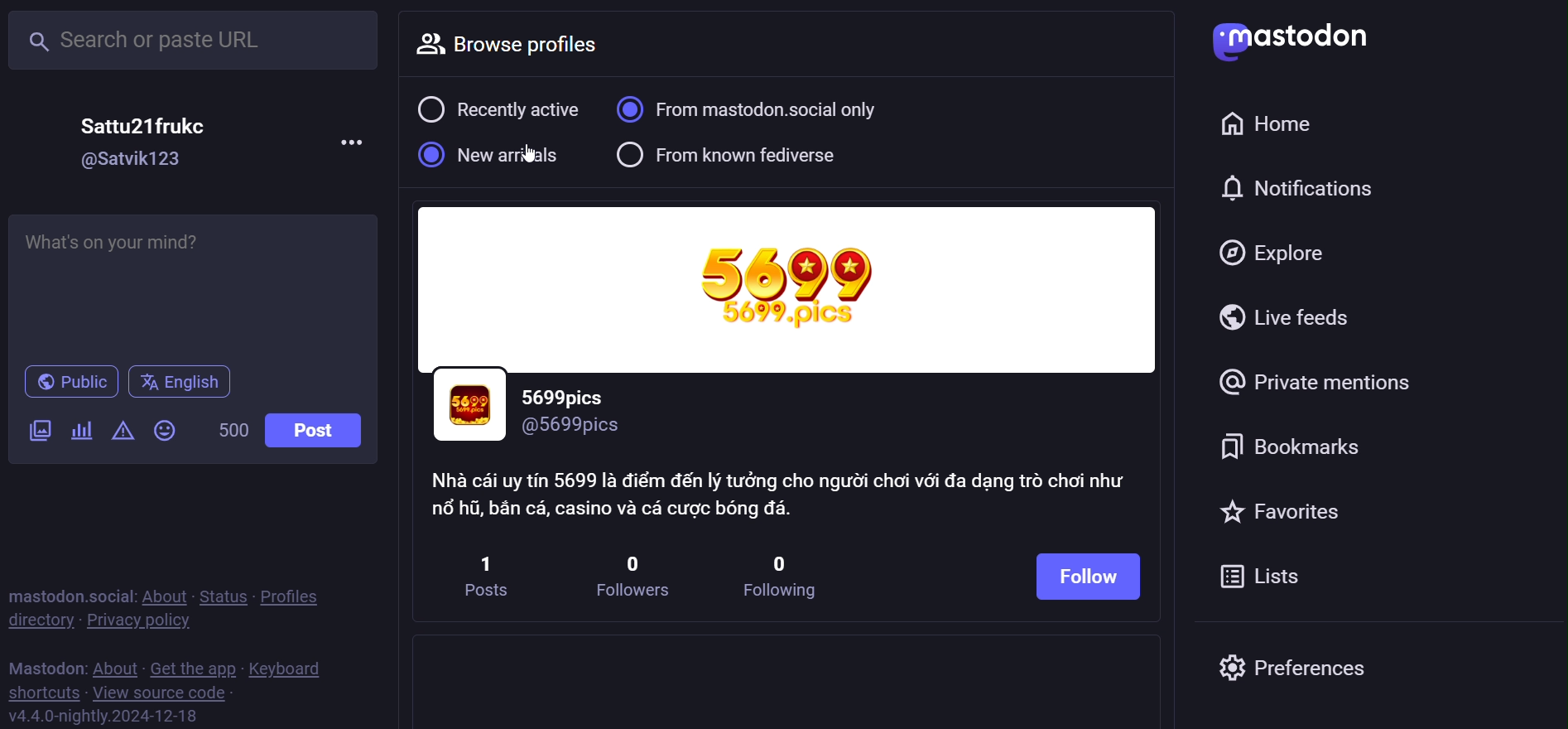 The image size is (1568, 729). Describe the element at coordinates (1291, 320) in the screenshot. I see `live feed` at that location.